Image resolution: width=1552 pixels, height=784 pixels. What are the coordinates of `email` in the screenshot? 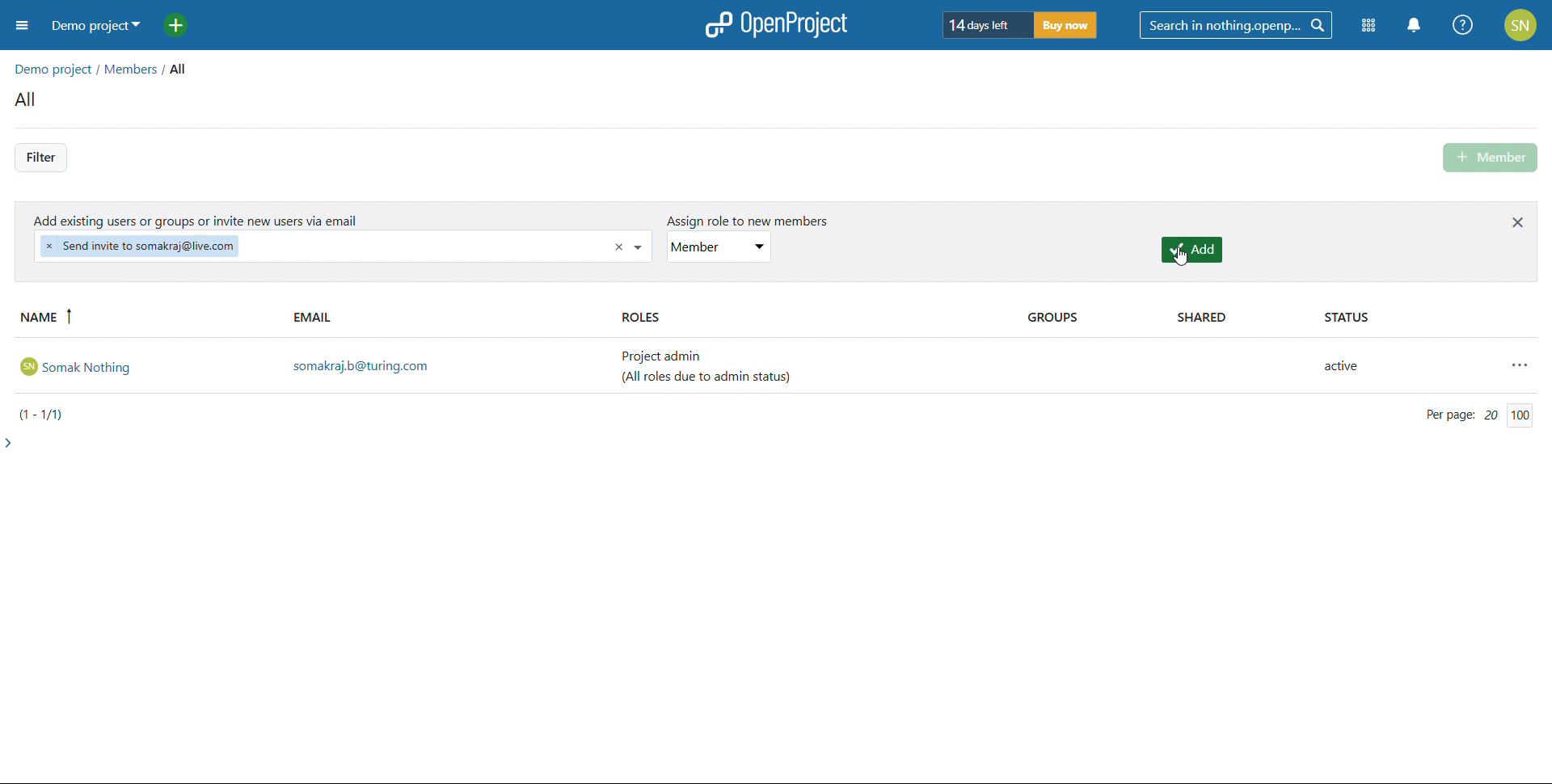 It's located at (449, 318).